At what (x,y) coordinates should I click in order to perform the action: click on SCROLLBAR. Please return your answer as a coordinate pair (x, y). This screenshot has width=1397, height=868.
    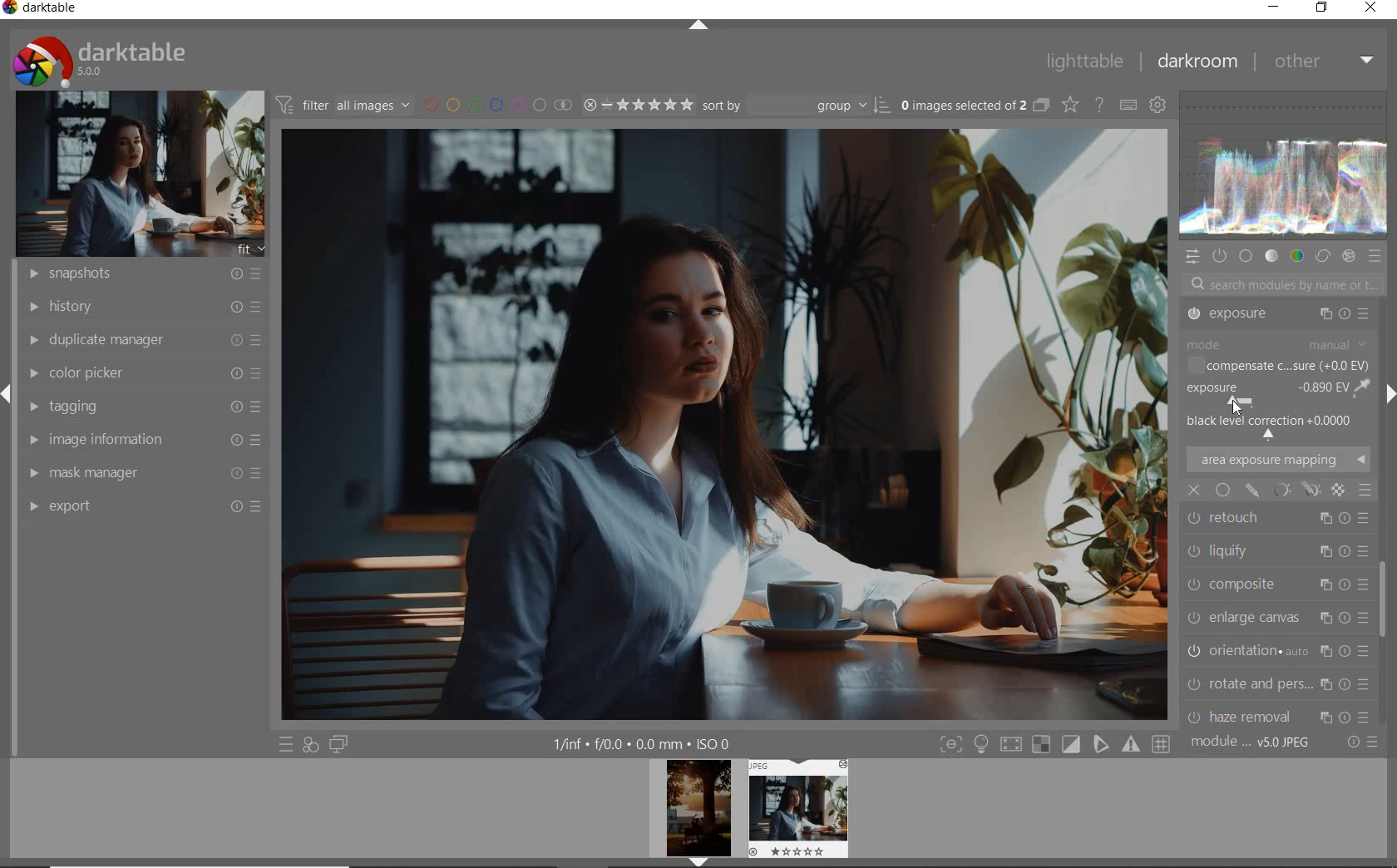
    Looking at the image, I should click on (1386, 608).